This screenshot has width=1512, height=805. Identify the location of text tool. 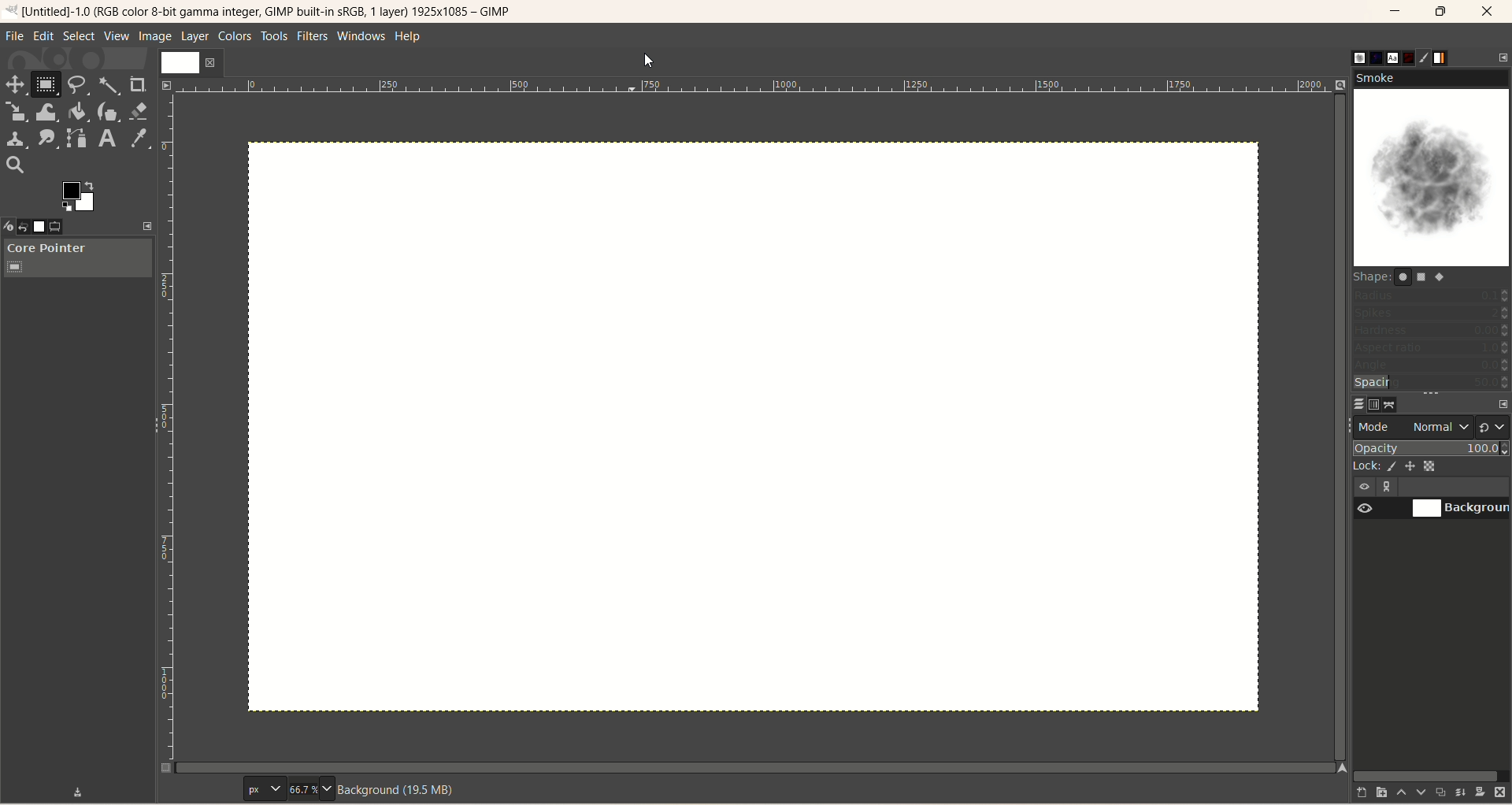
(109, 139).